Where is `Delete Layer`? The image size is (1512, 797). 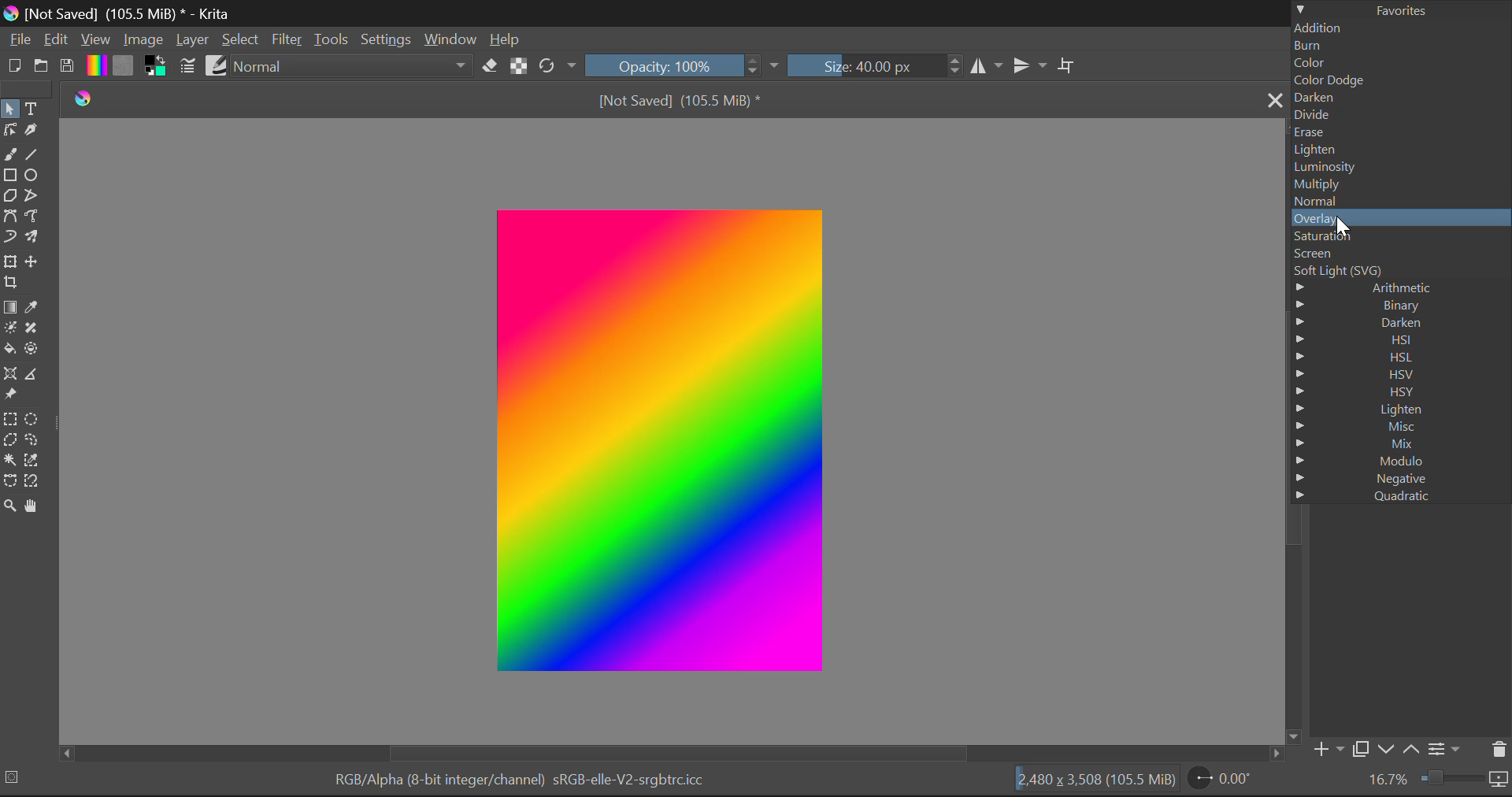 Delete Layer is located at coordinates (1499, 751).